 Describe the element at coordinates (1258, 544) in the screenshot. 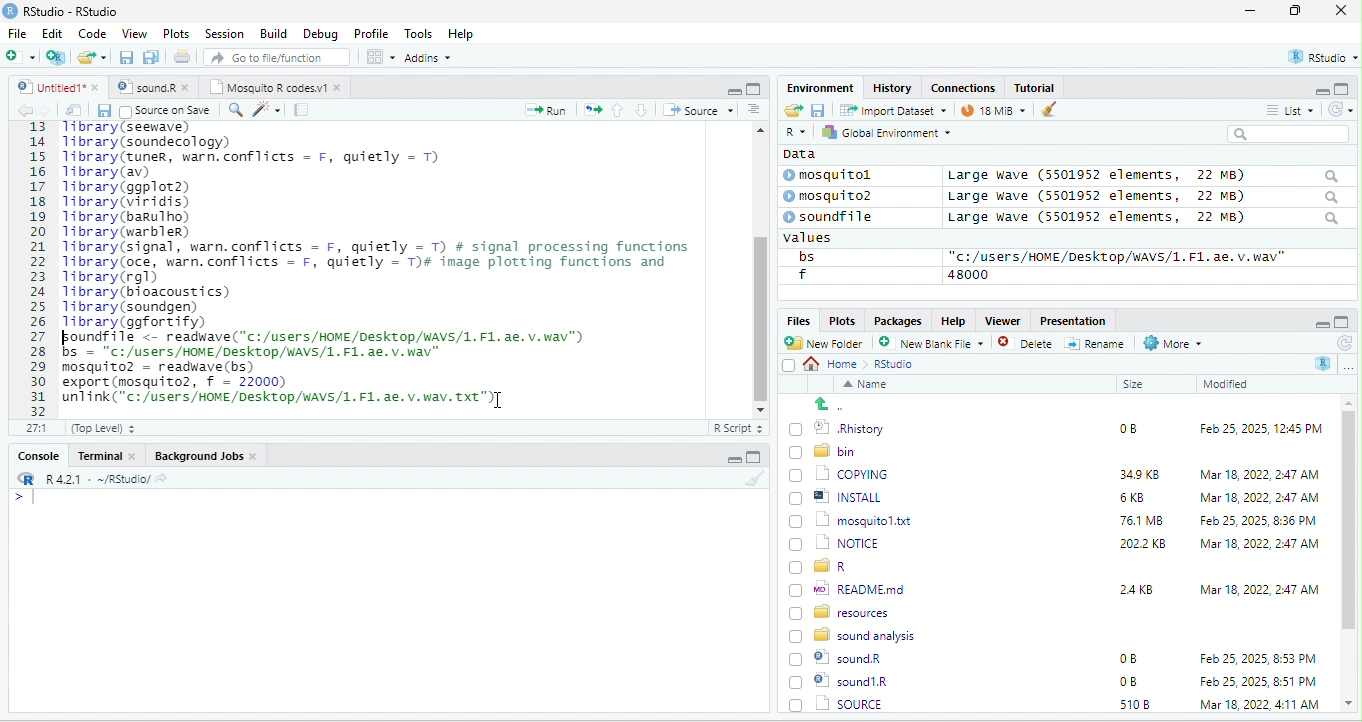

I see `‘Mar 18, 2022, 2:47 AM` at that location.